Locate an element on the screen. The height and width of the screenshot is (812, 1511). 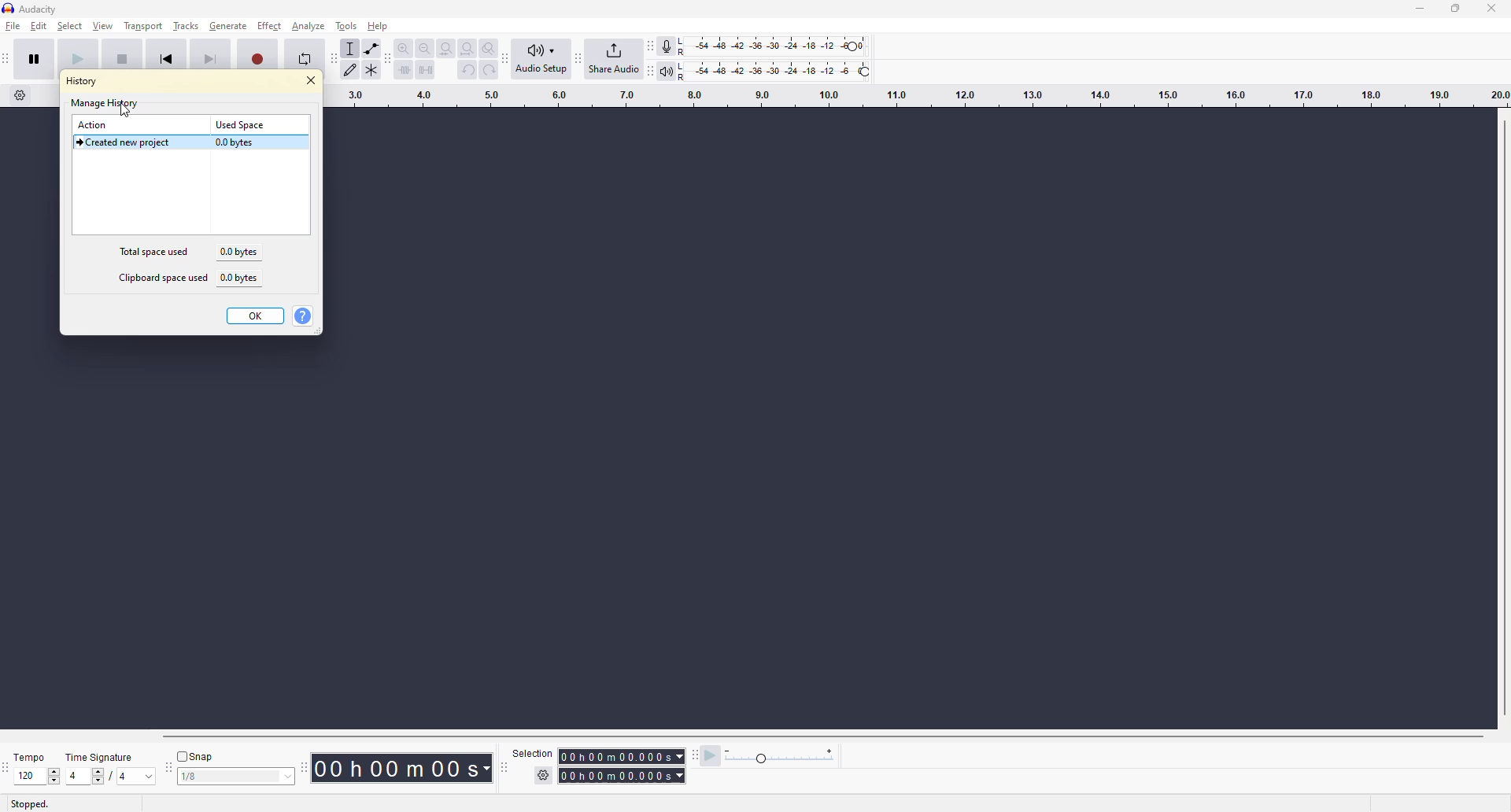
playback levels is located at coordinates (793, 69).